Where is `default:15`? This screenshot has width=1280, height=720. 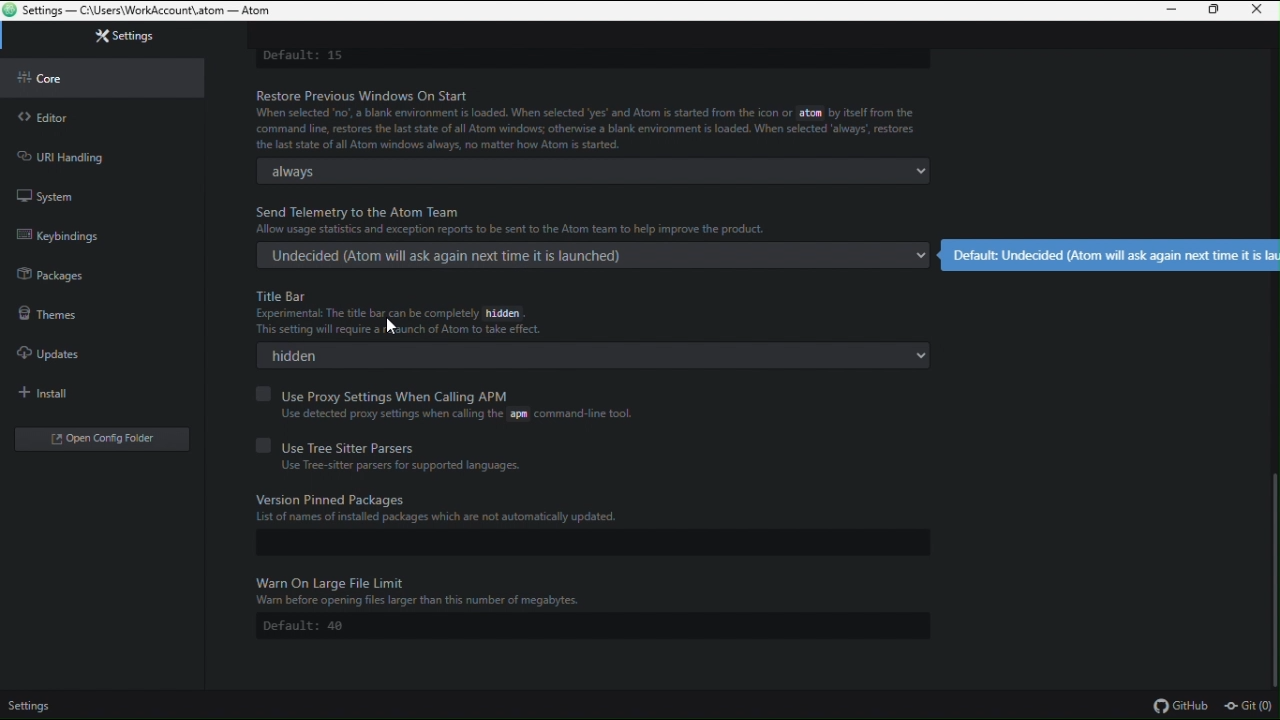 default:15 is located at coordinates (308, 53).